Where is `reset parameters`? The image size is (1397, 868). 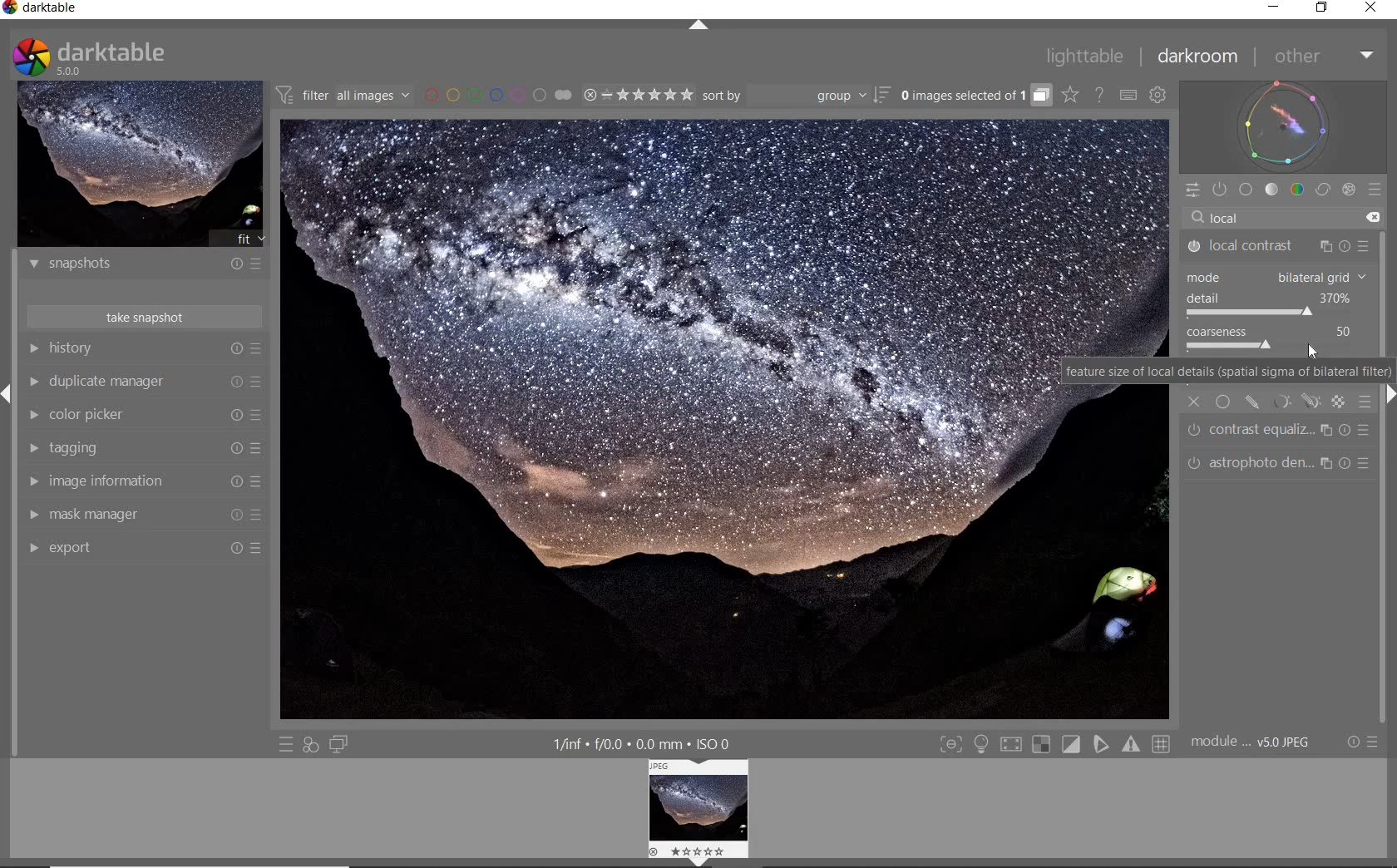
reset parameters is located at coordinates (1346, 430).